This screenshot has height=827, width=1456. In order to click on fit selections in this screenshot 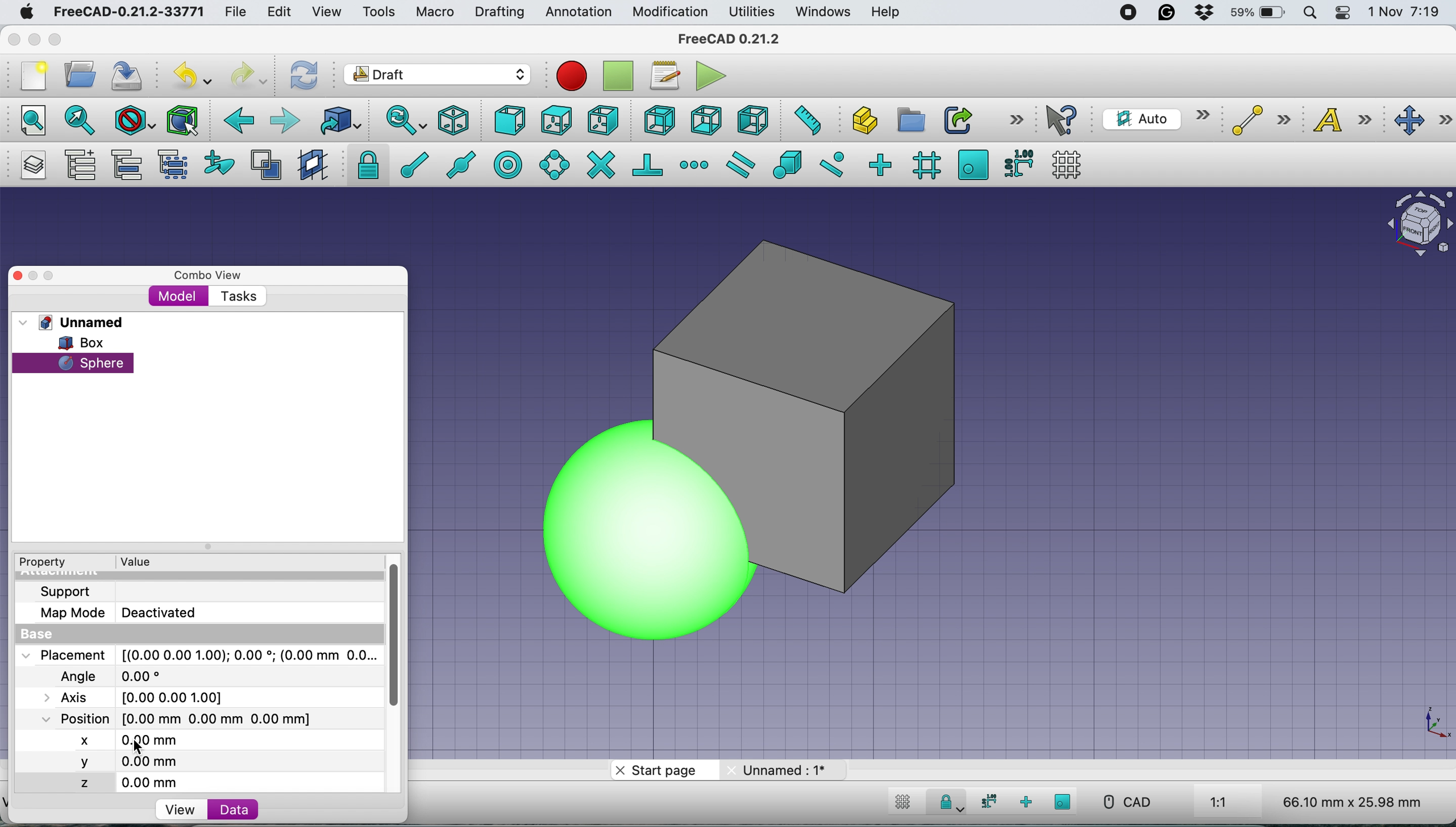, I will do `click(83, 119)`.